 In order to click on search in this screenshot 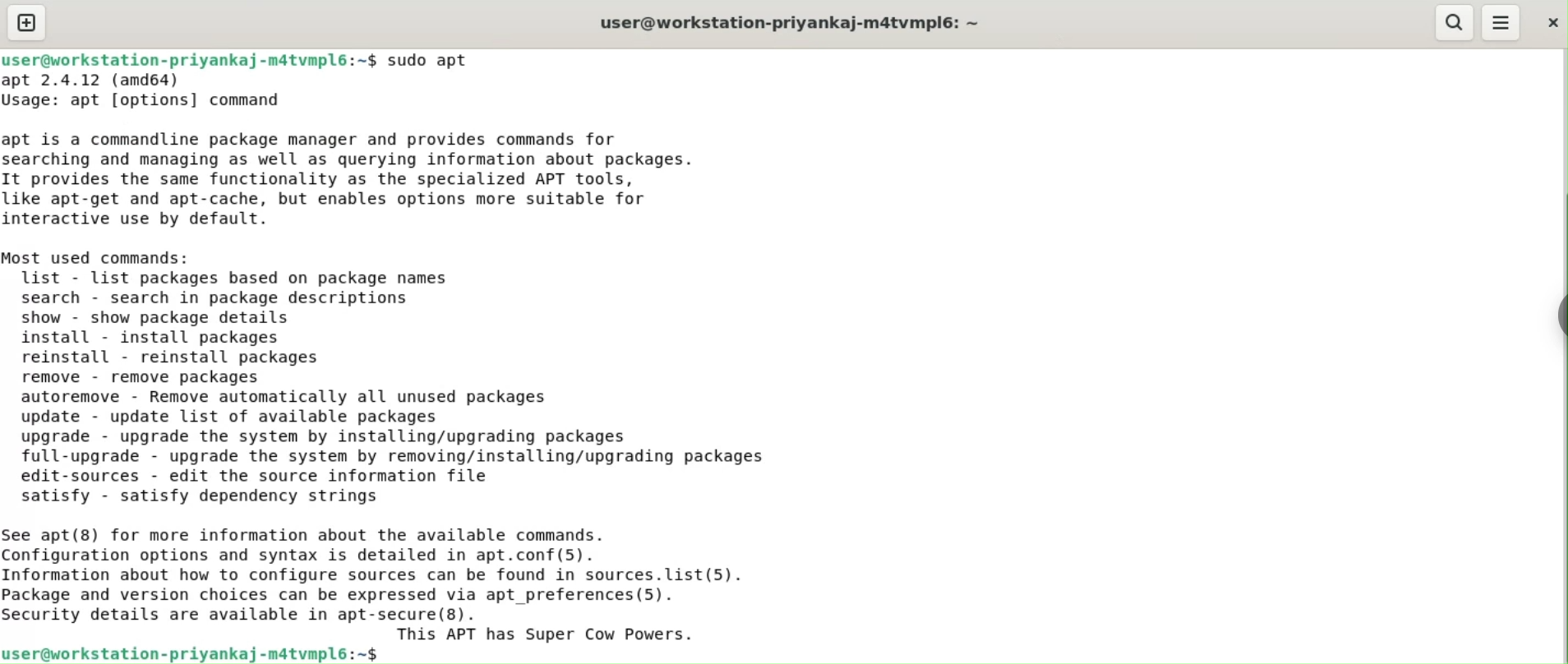, I will do `click(1454, 22)`.